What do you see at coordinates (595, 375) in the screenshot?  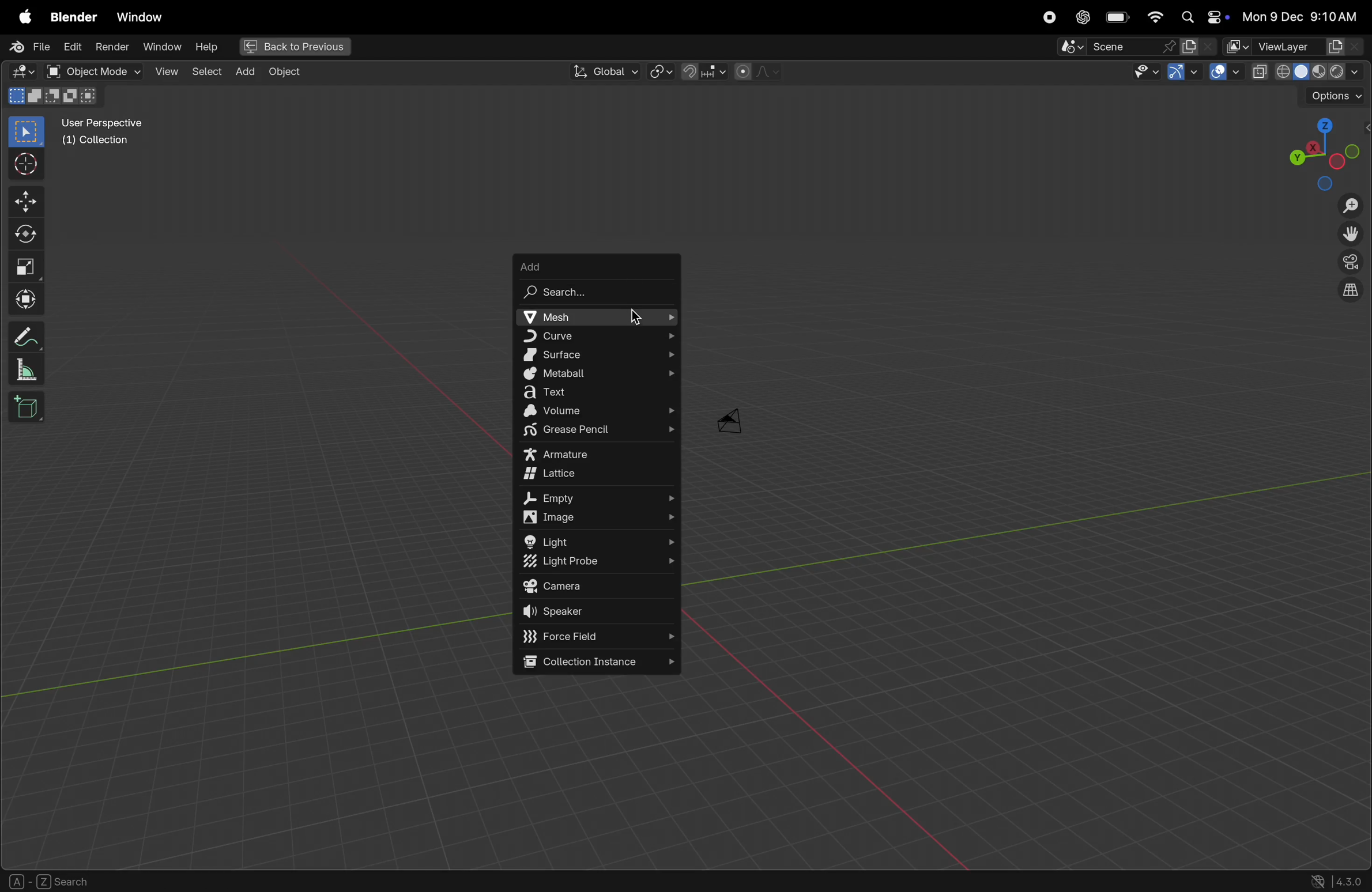 I see `meta ball` at bounding box center [595, 375].